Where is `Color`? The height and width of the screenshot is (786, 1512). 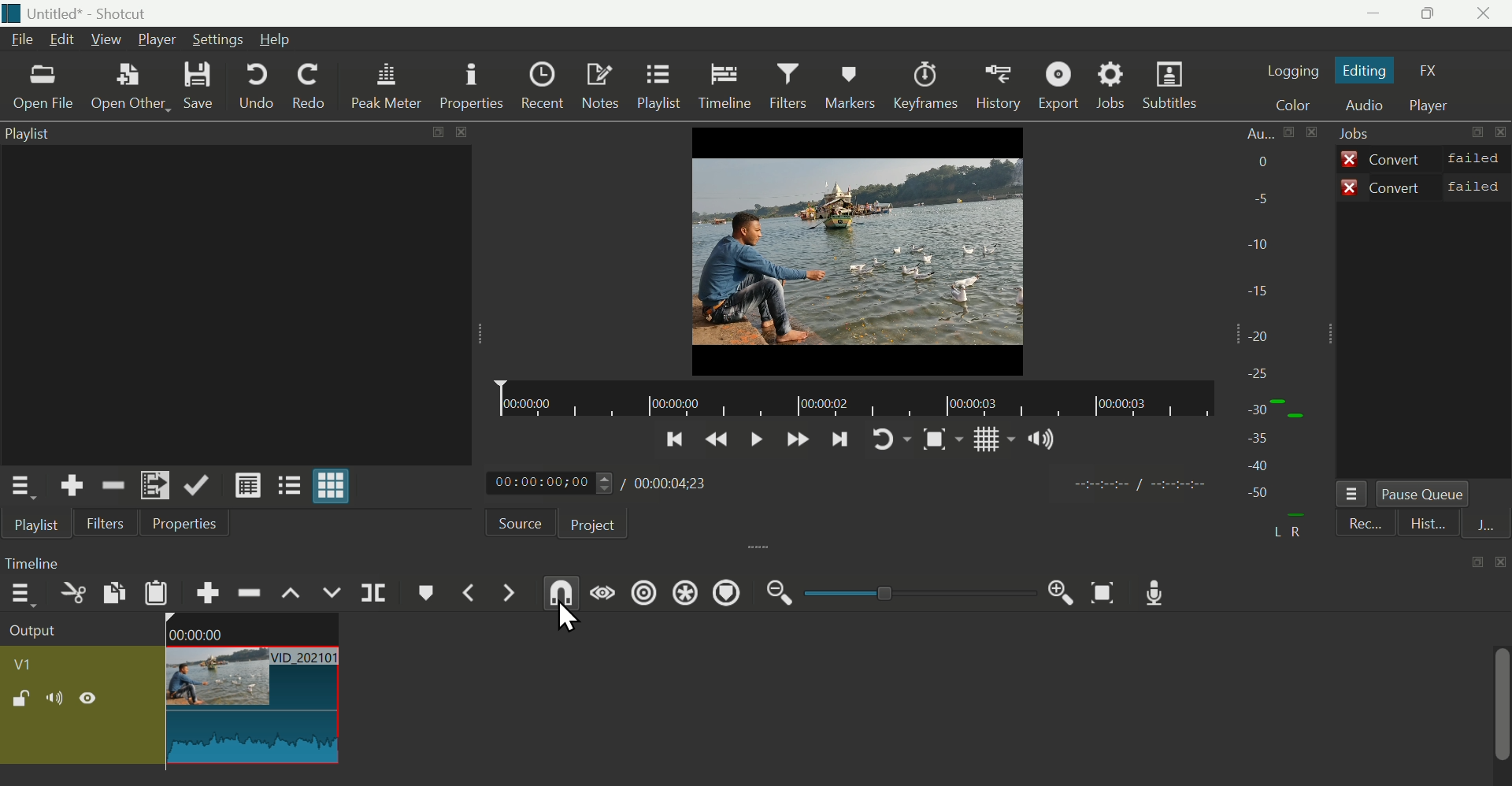 Color is located at coordinates (1290, 102).